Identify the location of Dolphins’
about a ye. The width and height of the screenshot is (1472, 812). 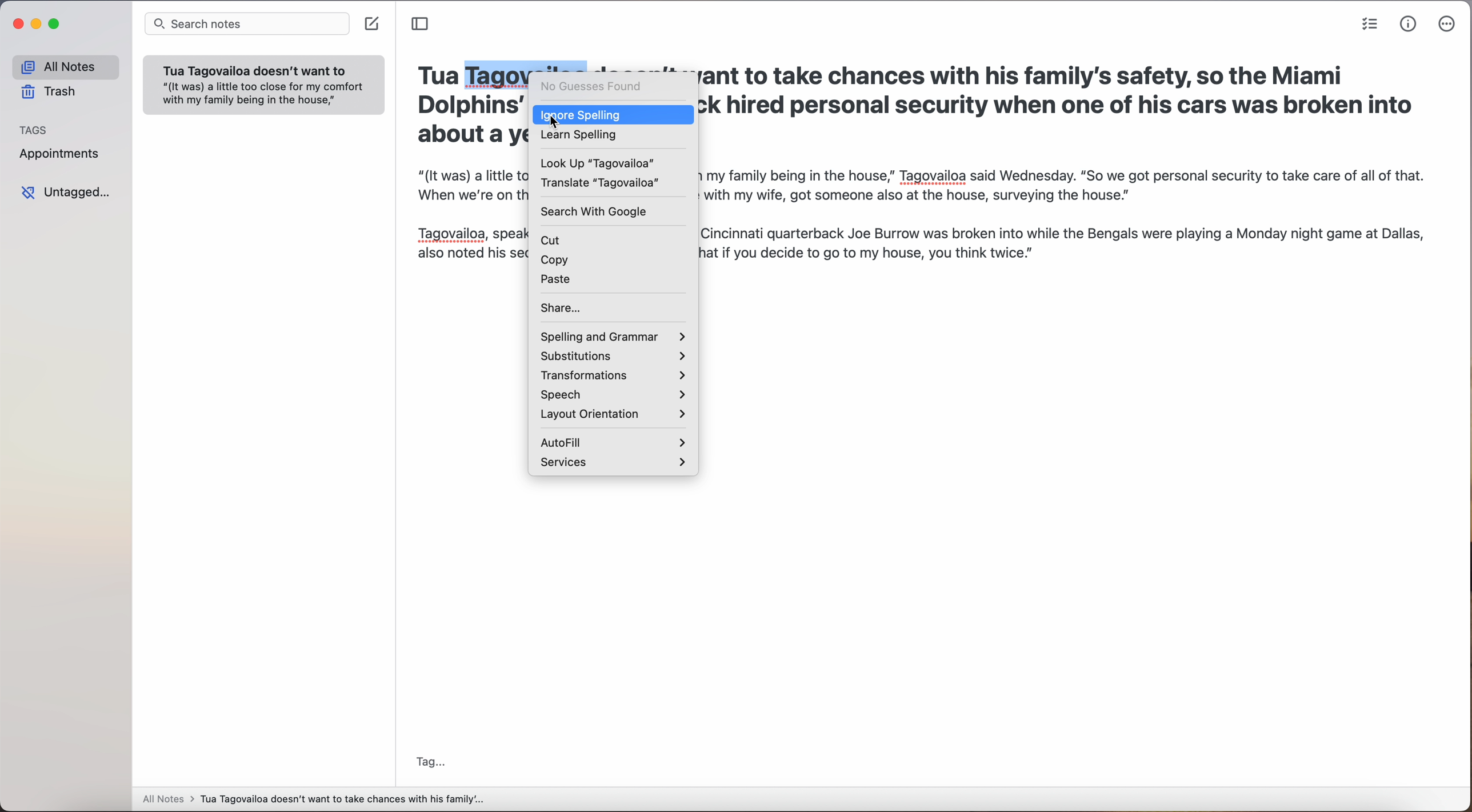
(461, 123).